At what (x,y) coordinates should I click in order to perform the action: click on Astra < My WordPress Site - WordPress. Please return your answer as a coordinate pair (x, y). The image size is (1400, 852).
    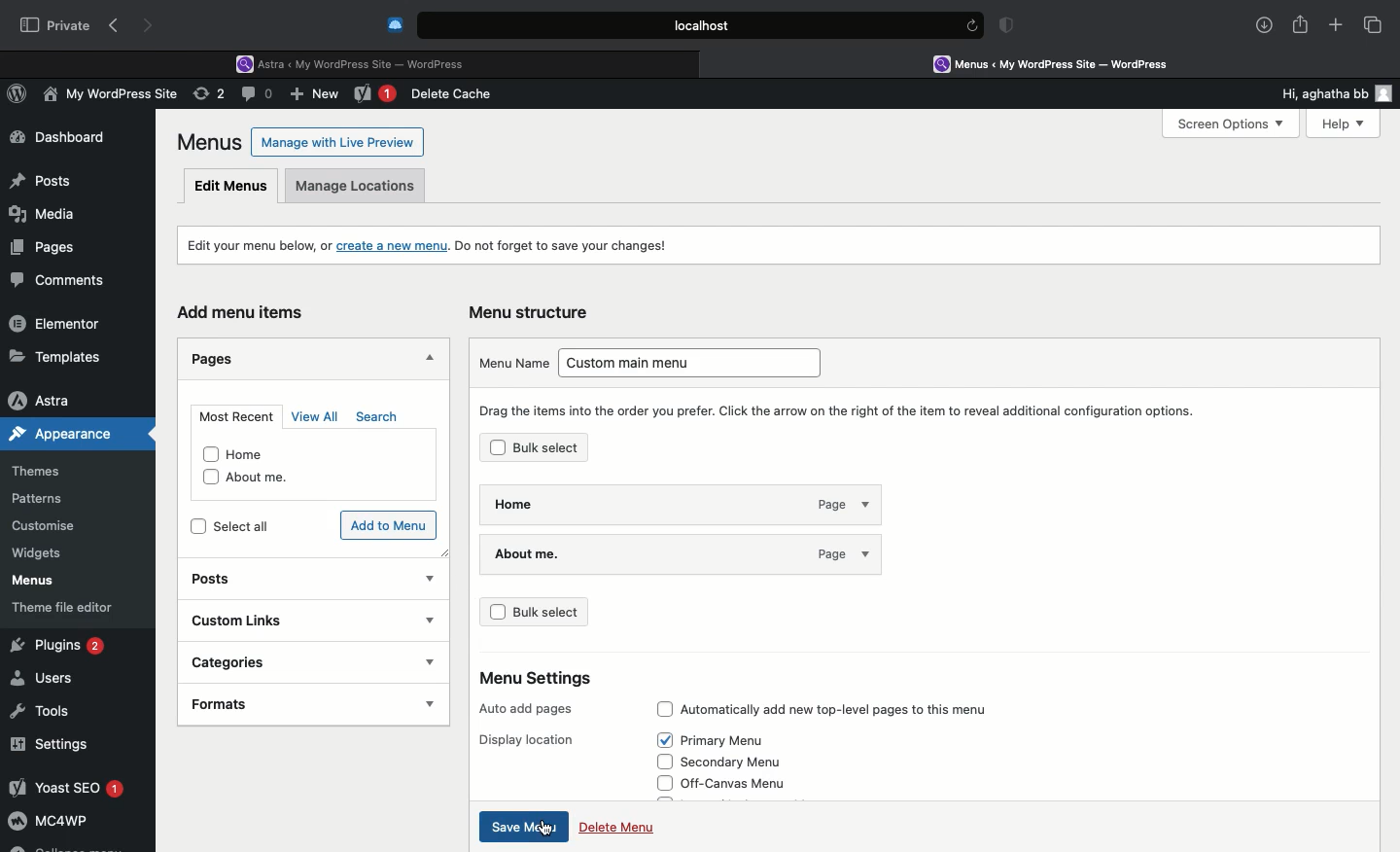
    Looking at the image, I should click on (357, 62).